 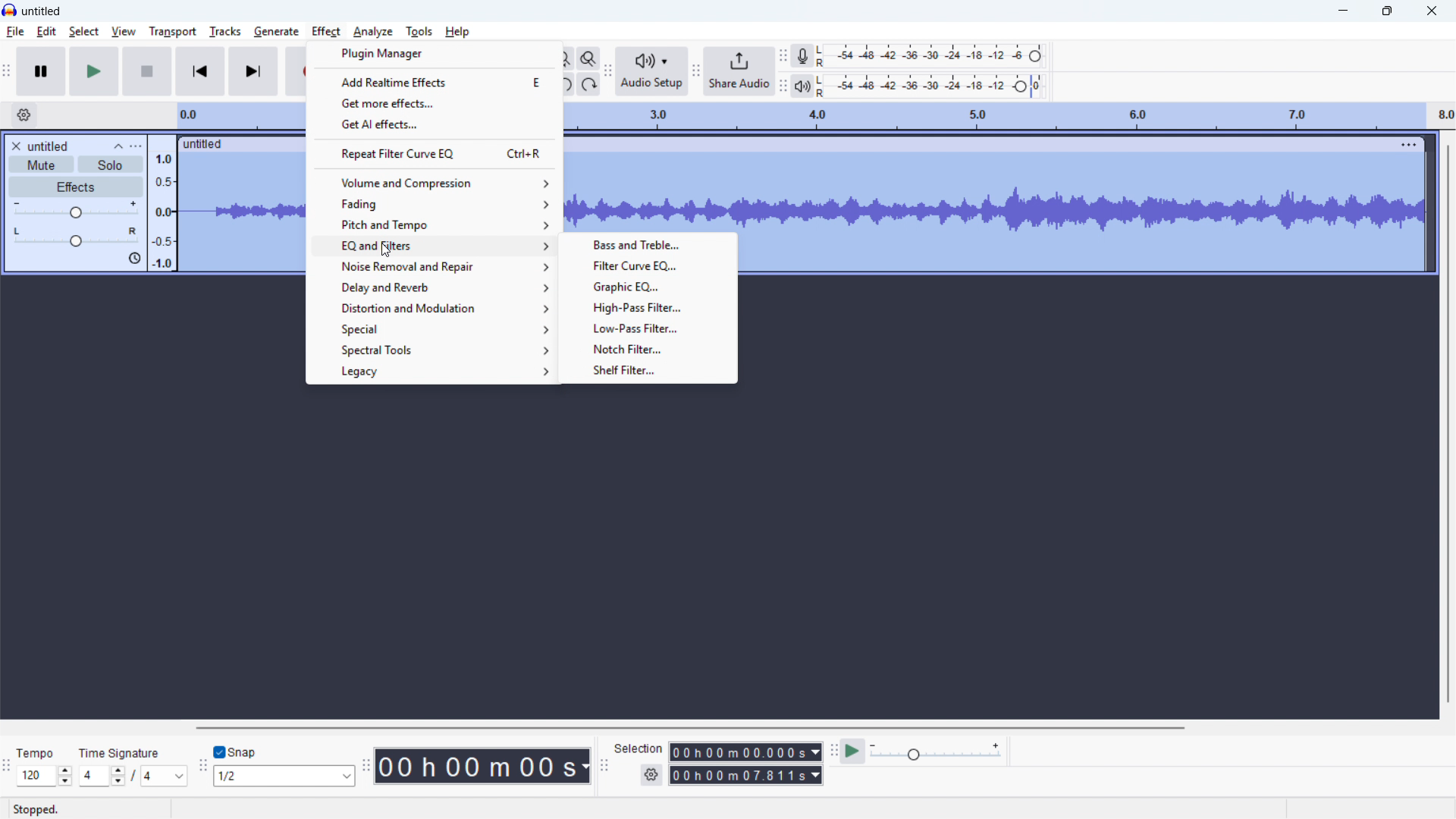 What do you see at coordinates (695, 72) in the screenshot?
I see `Share audio toolbar ` at bounding box center [695, 72].